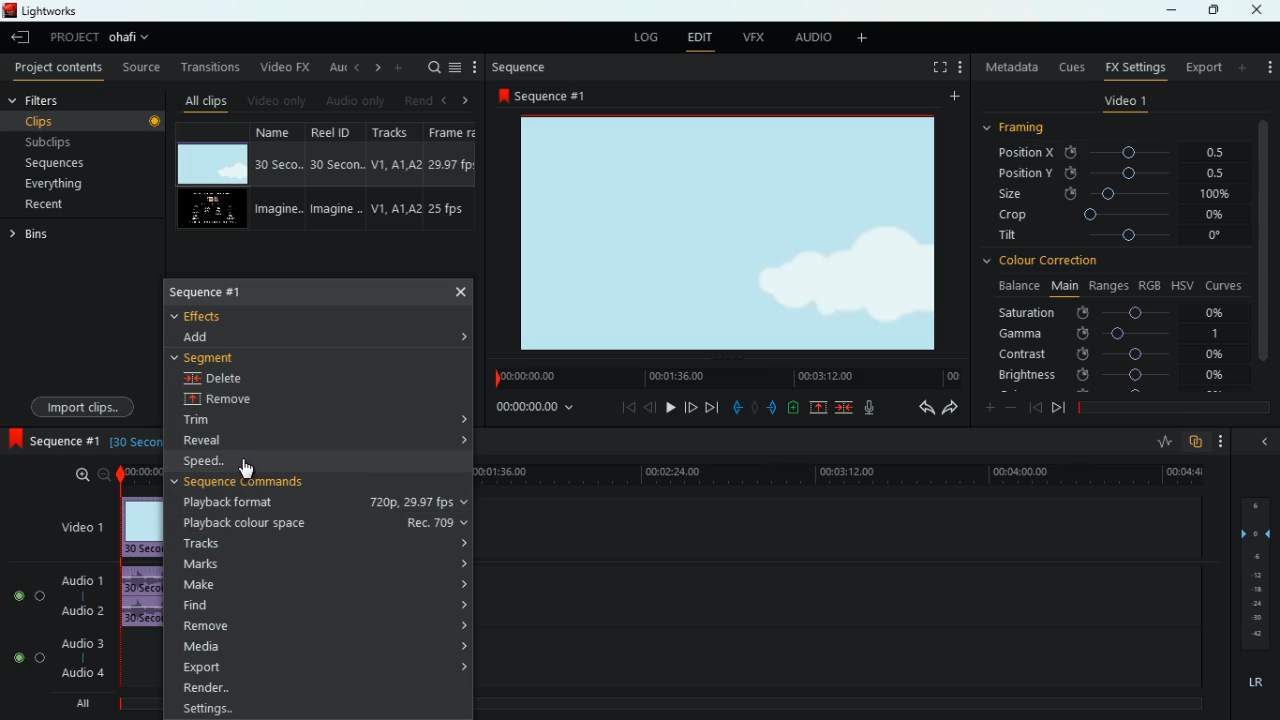 The width and height of the screenshot is (1280, 720). Describe the element at coordinates (1045, 263) in the screenshot. I see `colour correction` at that location.